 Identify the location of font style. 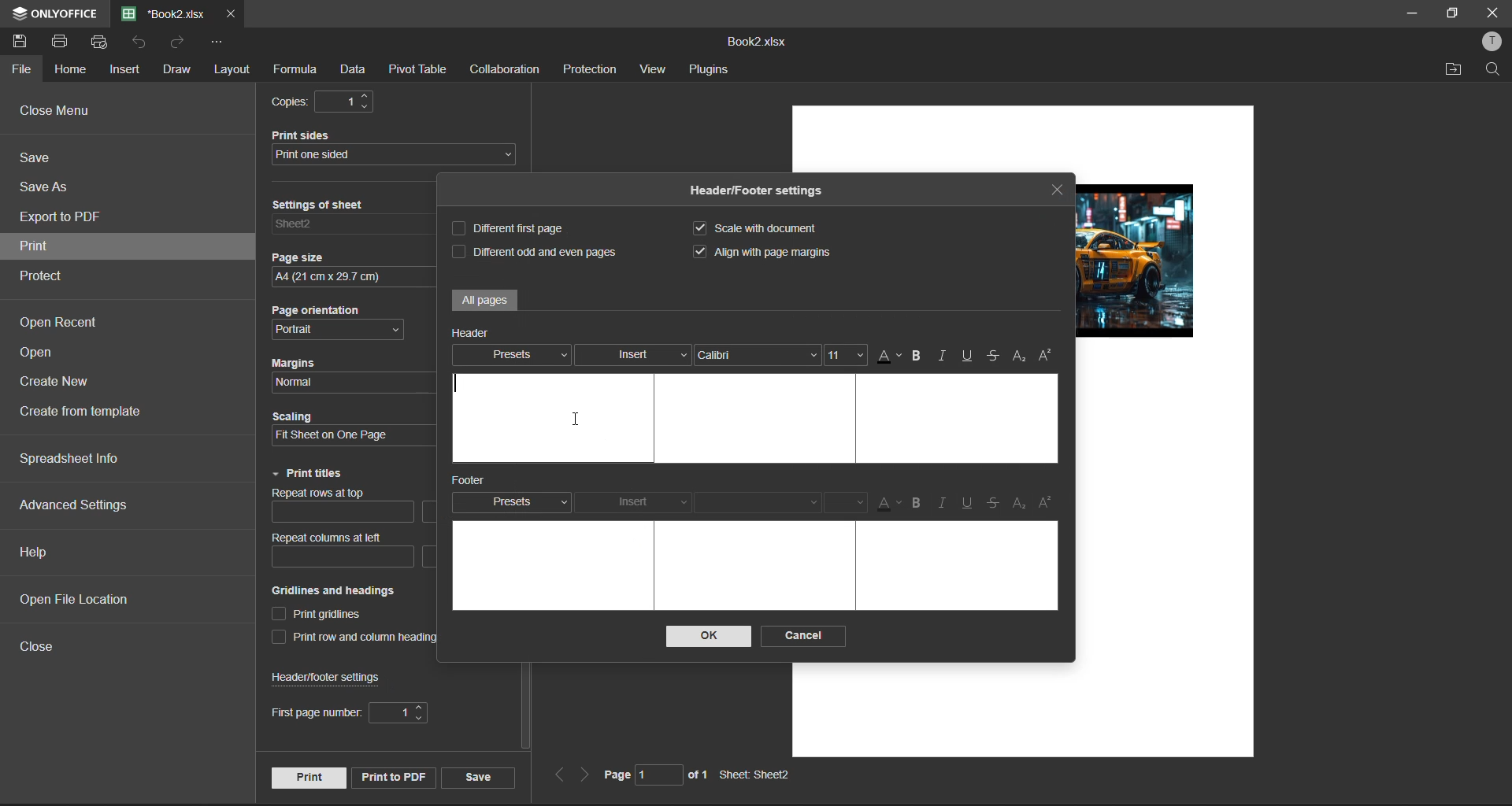
(765, 505).